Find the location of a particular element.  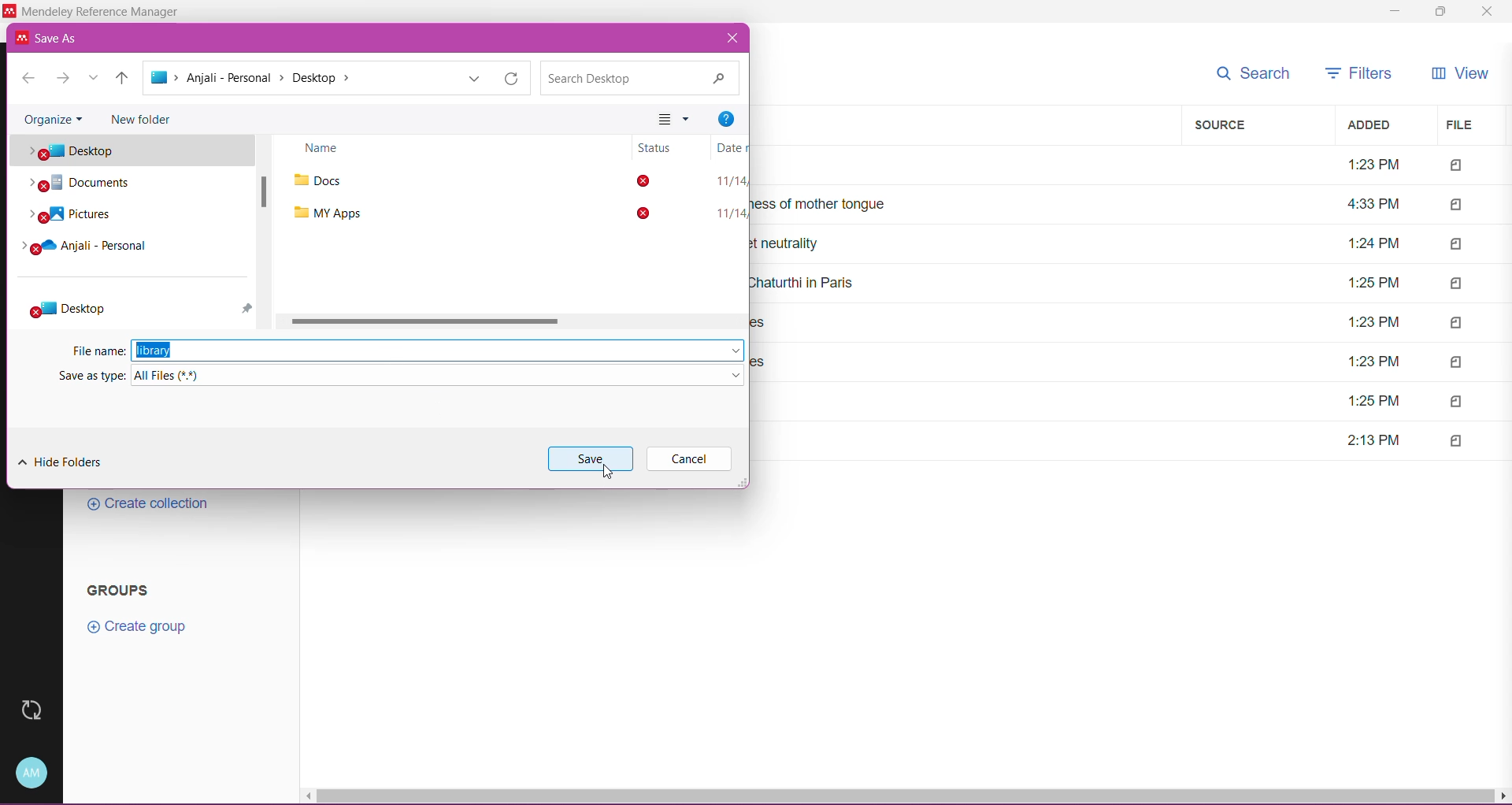

Restore Down is located at coordinates (1439, 13).